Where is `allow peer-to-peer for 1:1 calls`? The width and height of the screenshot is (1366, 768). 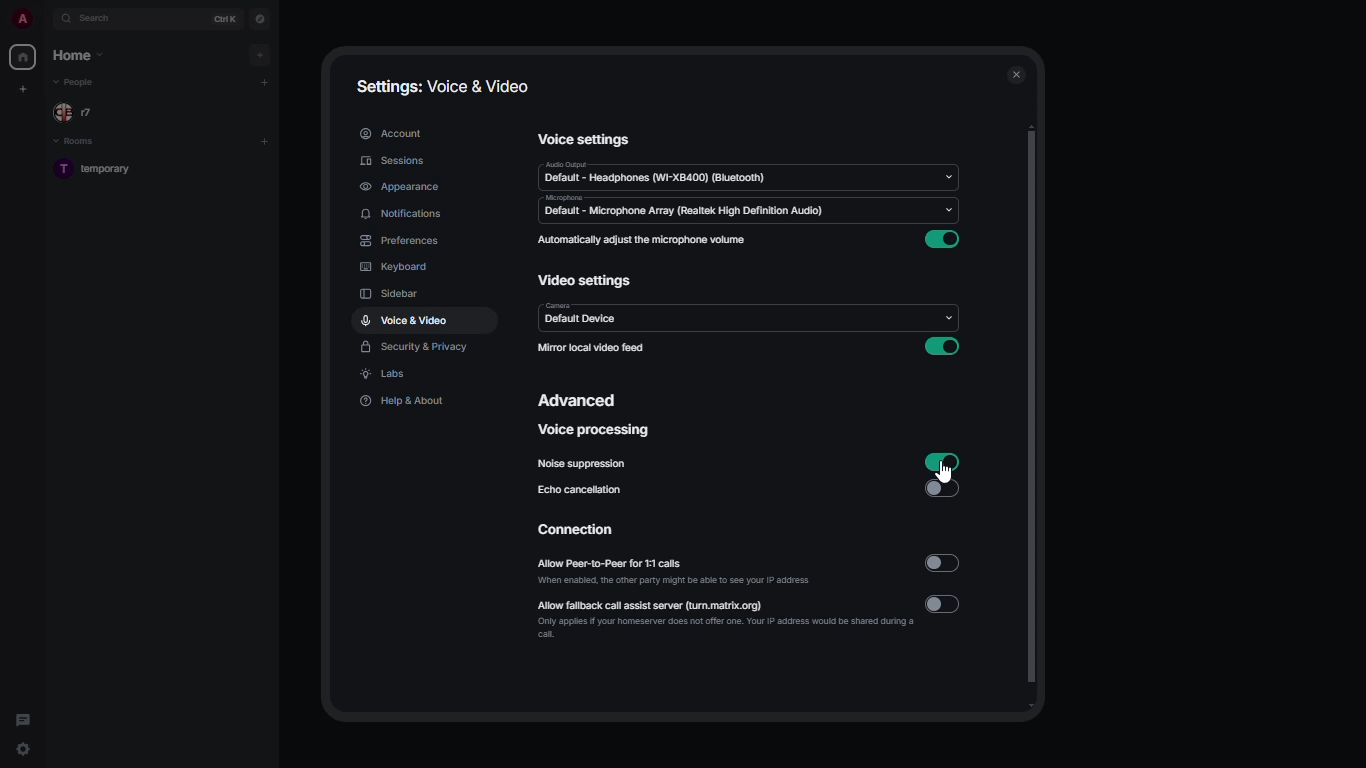 allow peer-to-peer for 1:1 calls is located at coordinates (673, 571).